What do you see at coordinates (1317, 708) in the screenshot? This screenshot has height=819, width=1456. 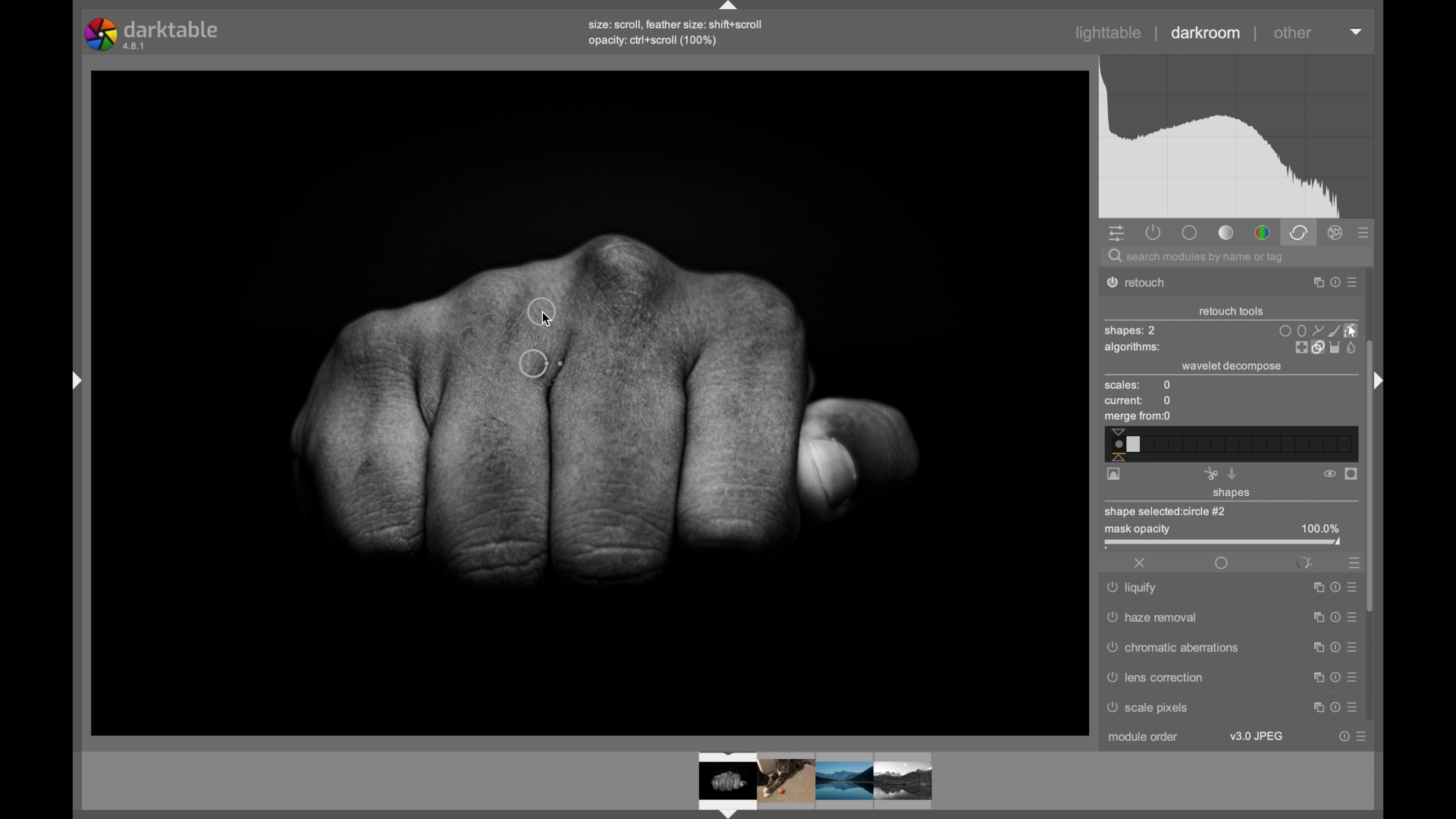 I see `maximize` at bounding box center [1317, 708].